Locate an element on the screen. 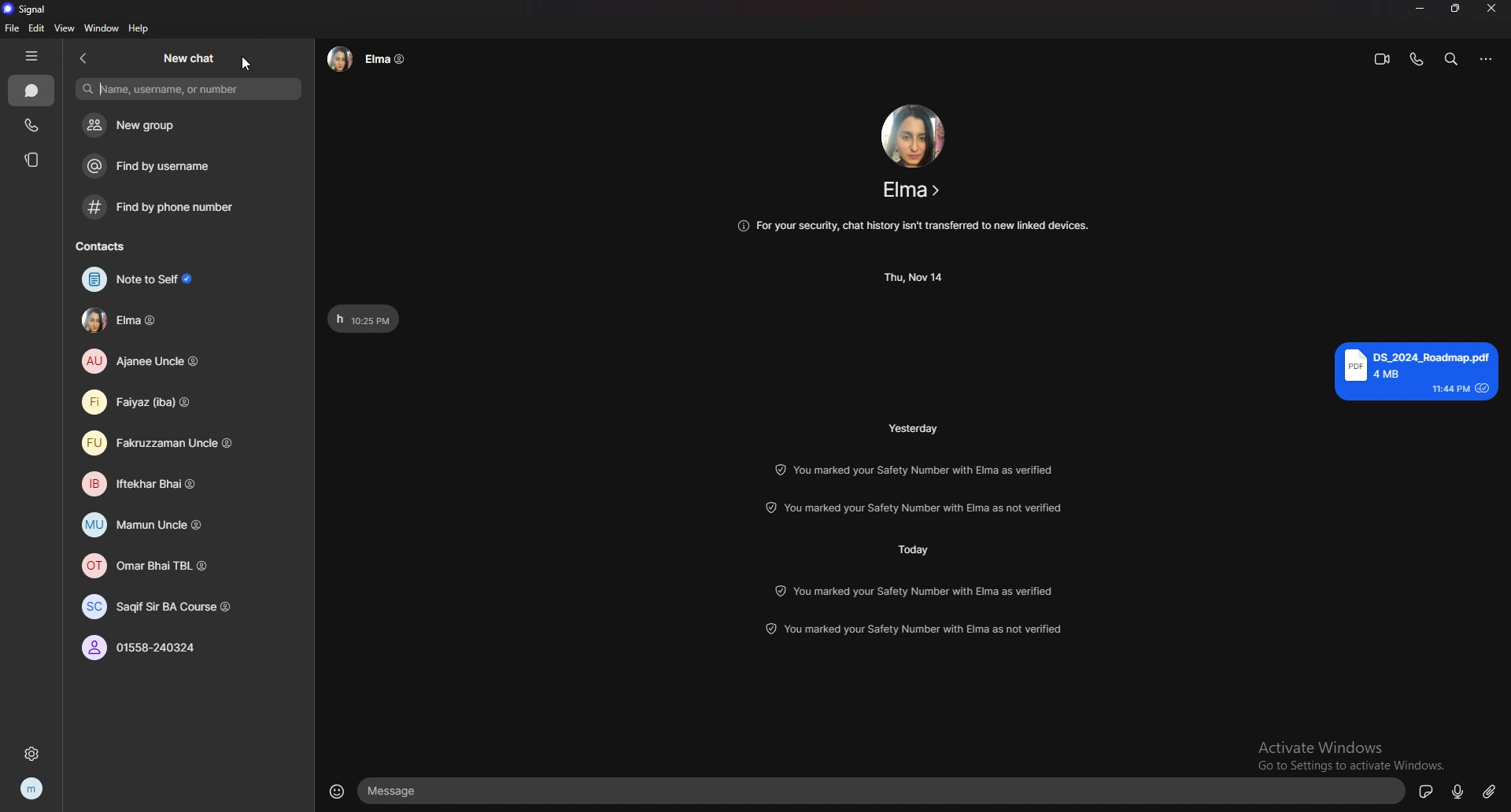 The height and width of the screenshot is (812, 1511). file is located at coordinates (11, 28).